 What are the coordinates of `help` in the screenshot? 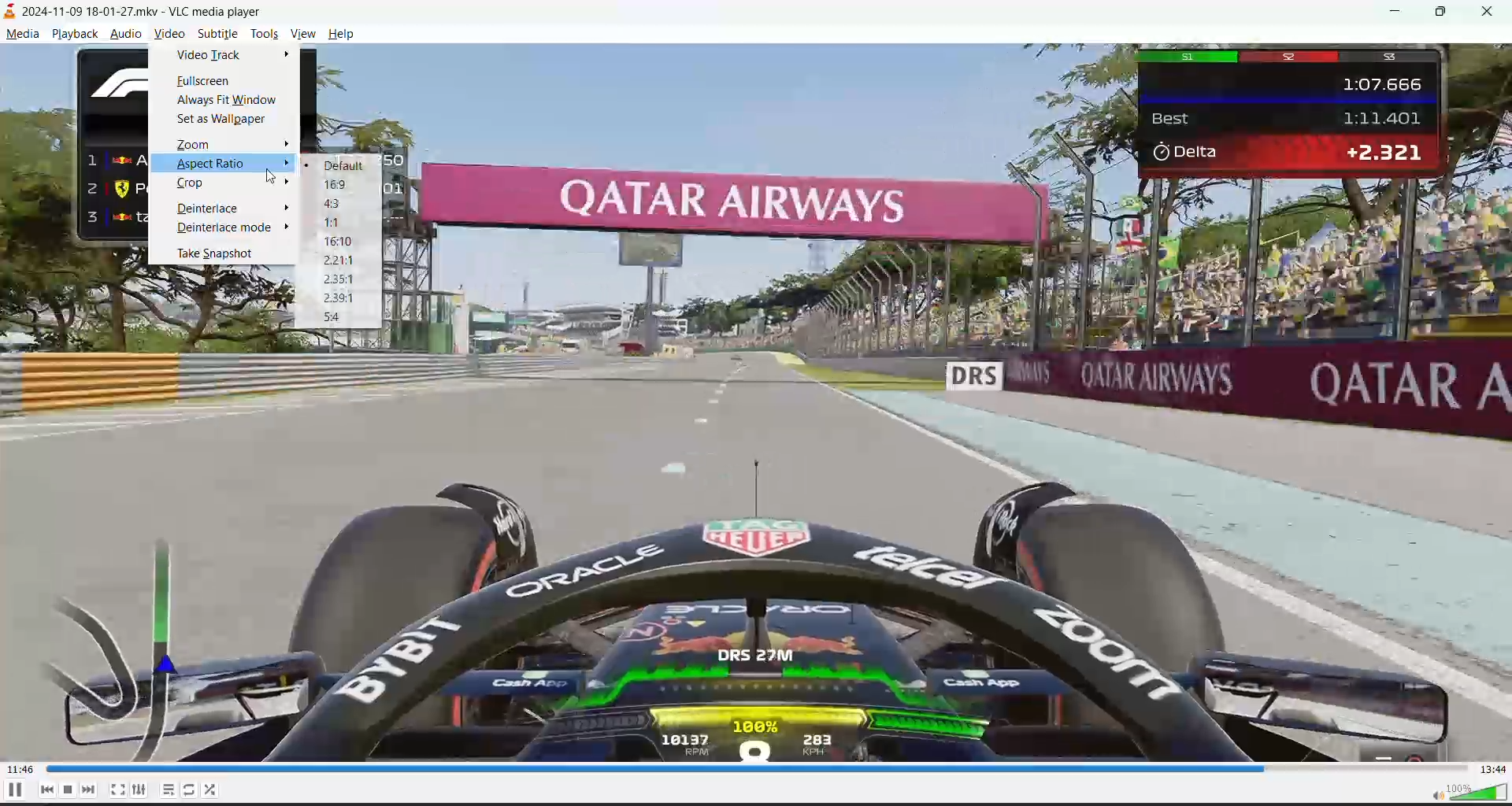 It's located at (340, 35).